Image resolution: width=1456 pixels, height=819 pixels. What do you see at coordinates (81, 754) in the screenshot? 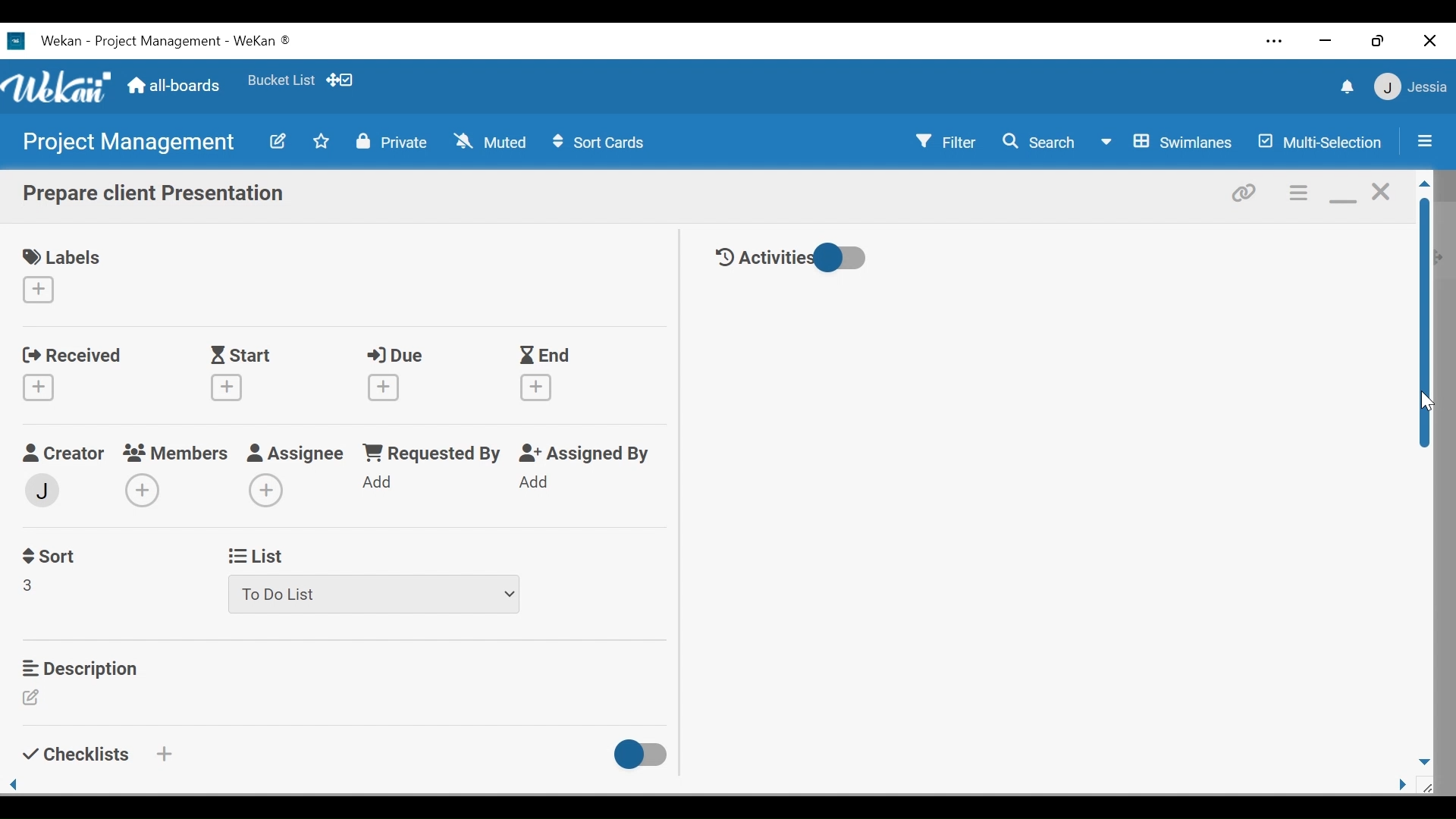
I see `Checklists` at bounding box center [81, 754].